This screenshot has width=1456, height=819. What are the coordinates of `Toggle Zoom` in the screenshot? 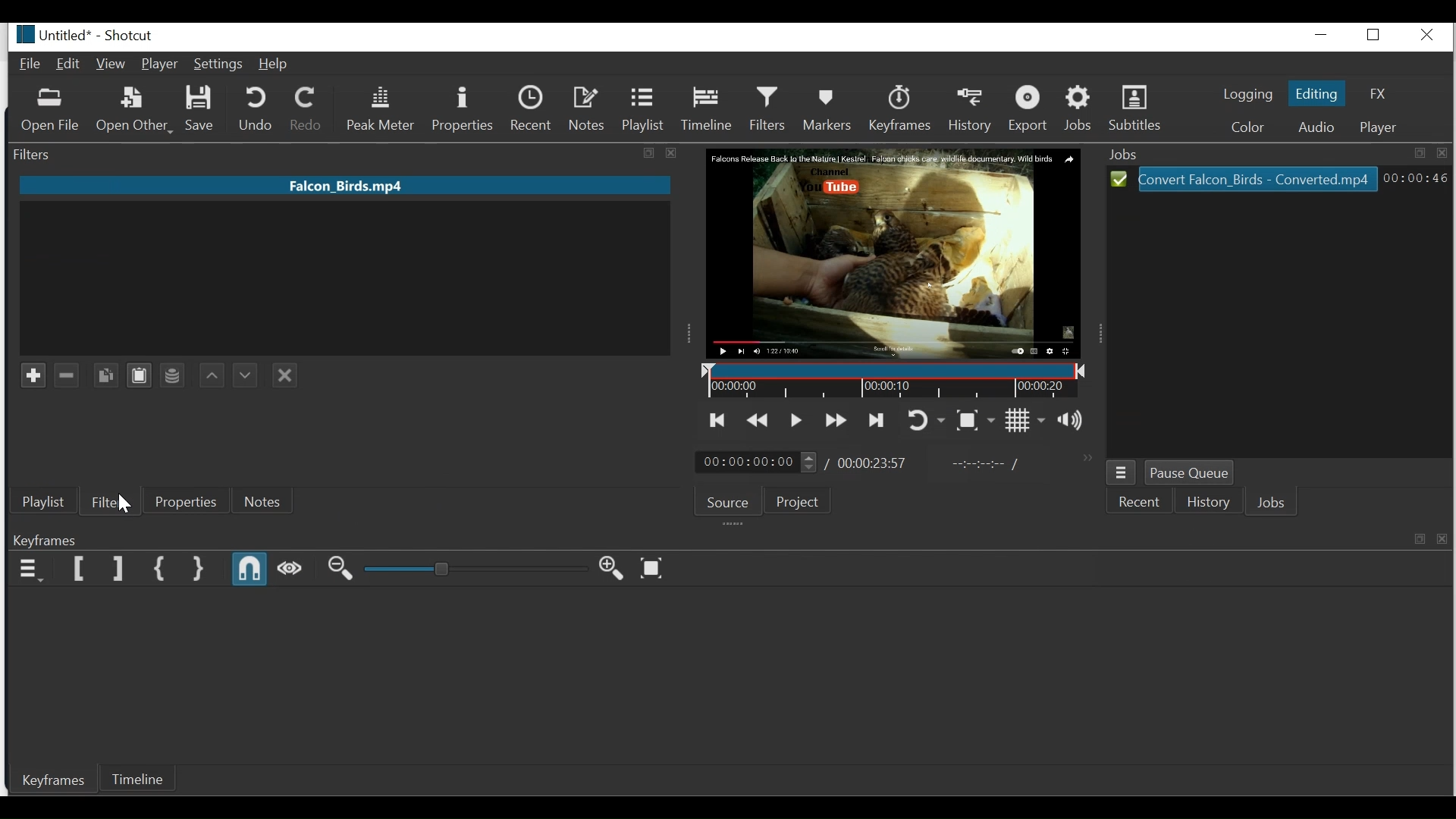 It's located at (975, 419).